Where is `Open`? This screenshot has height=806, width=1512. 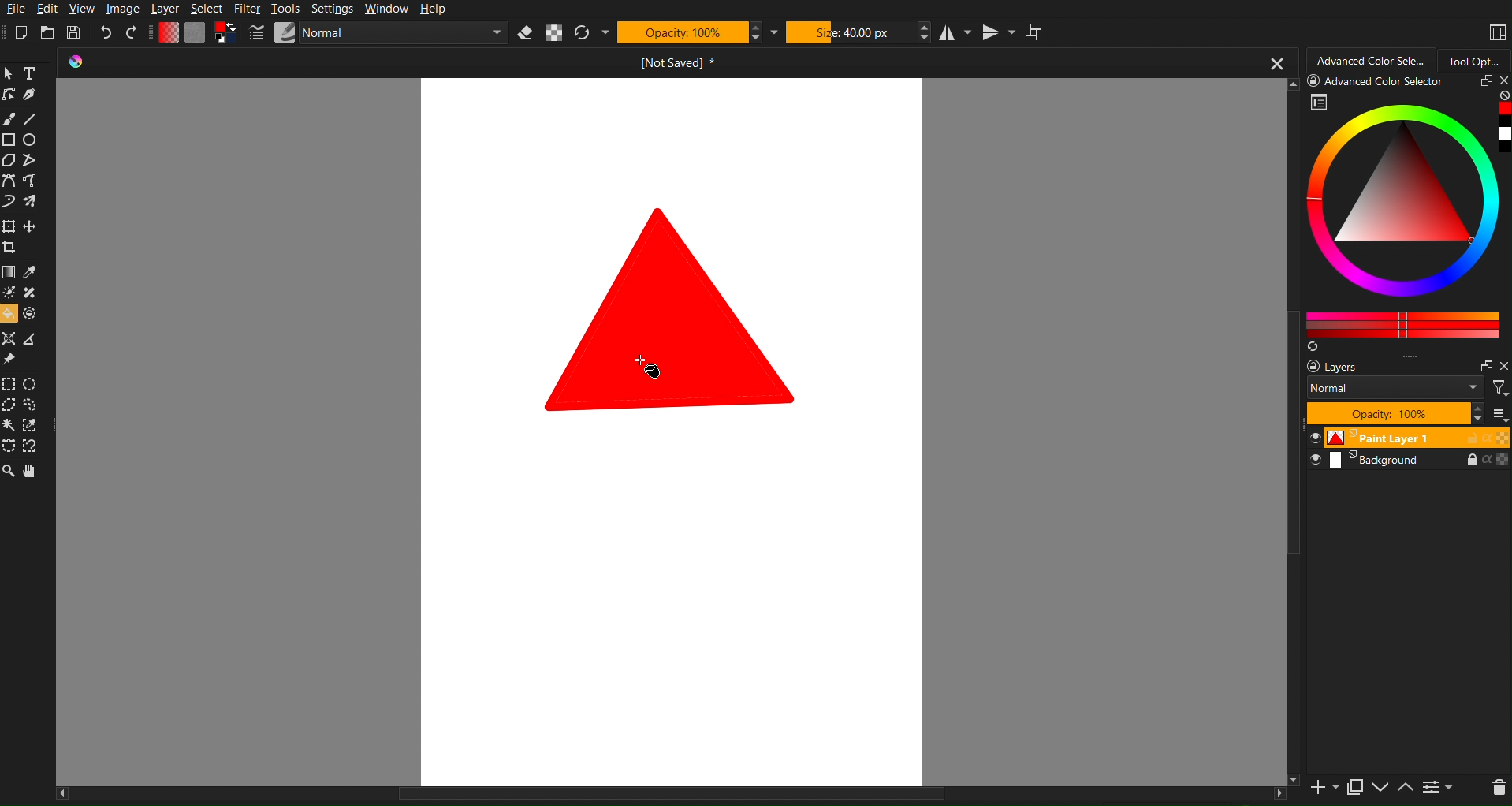 Open is located at coordinates (48, 32).